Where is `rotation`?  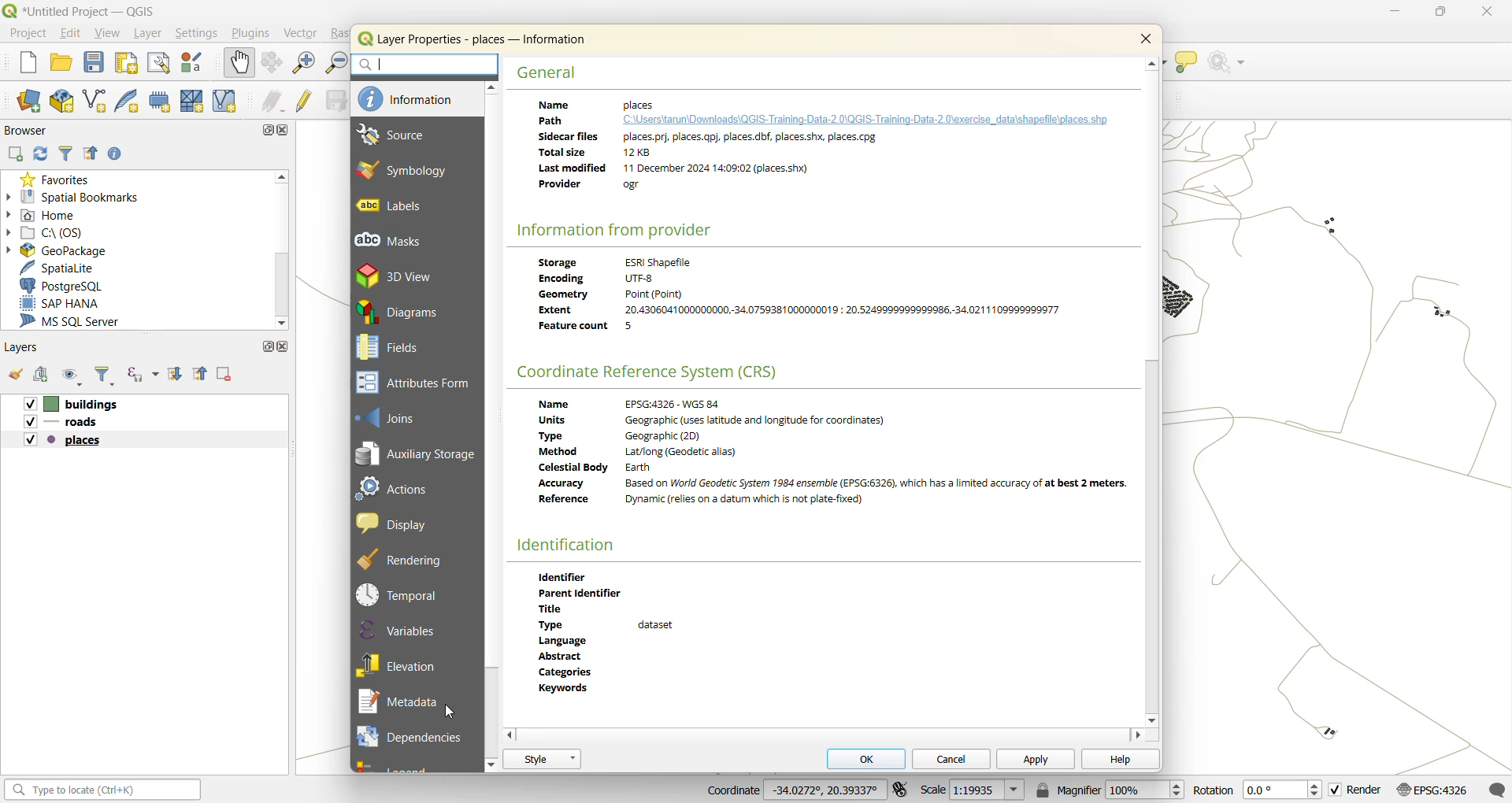 rotation is located at coordinates (1257, 789).